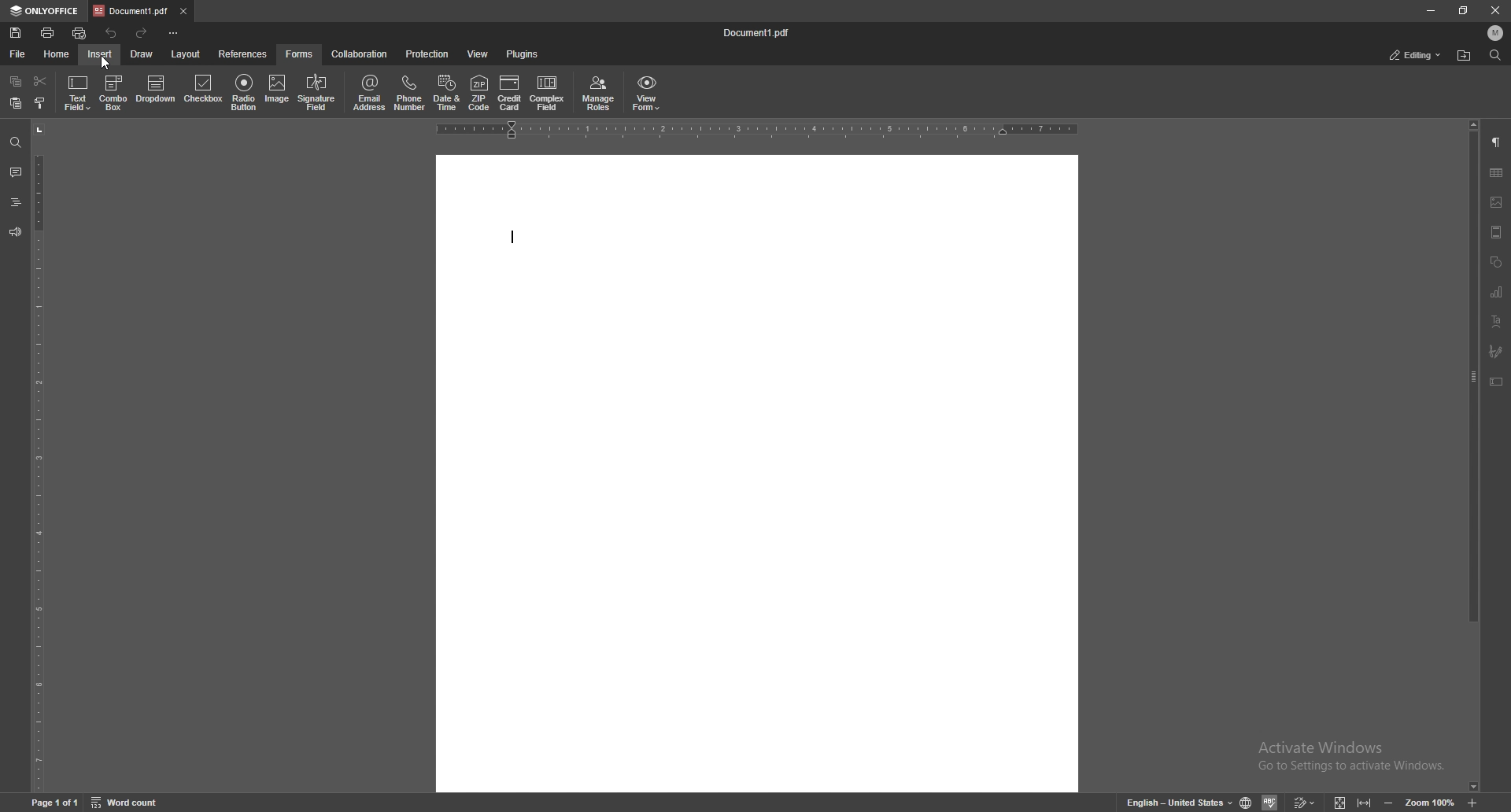  What do you see at coordinates (131, 11) in the screenshot?
I see `tab` at bounding box center [131, 11].